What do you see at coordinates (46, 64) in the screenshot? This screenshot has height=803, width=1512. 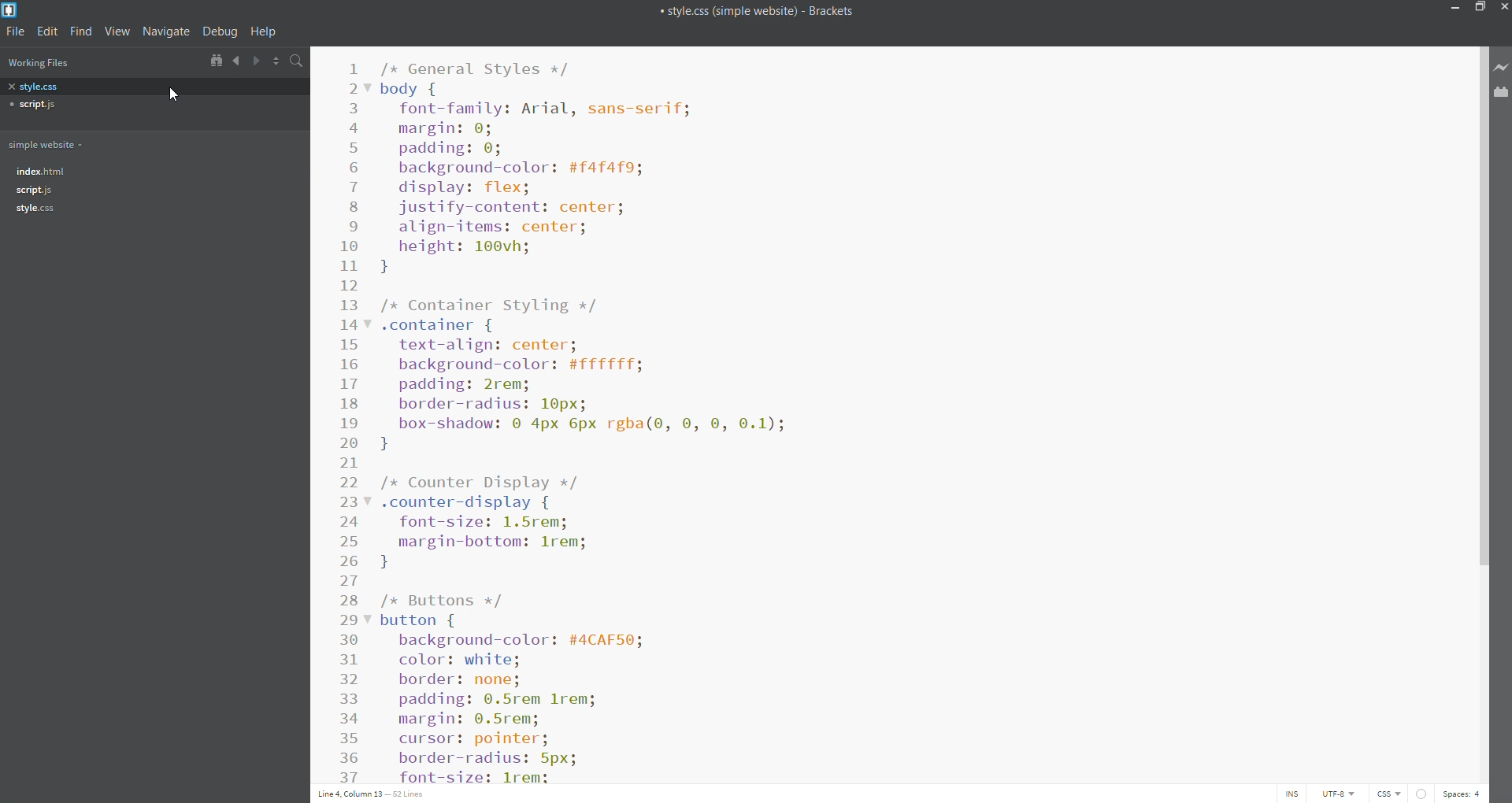 I see `working files` at bounding box center [46, 64].